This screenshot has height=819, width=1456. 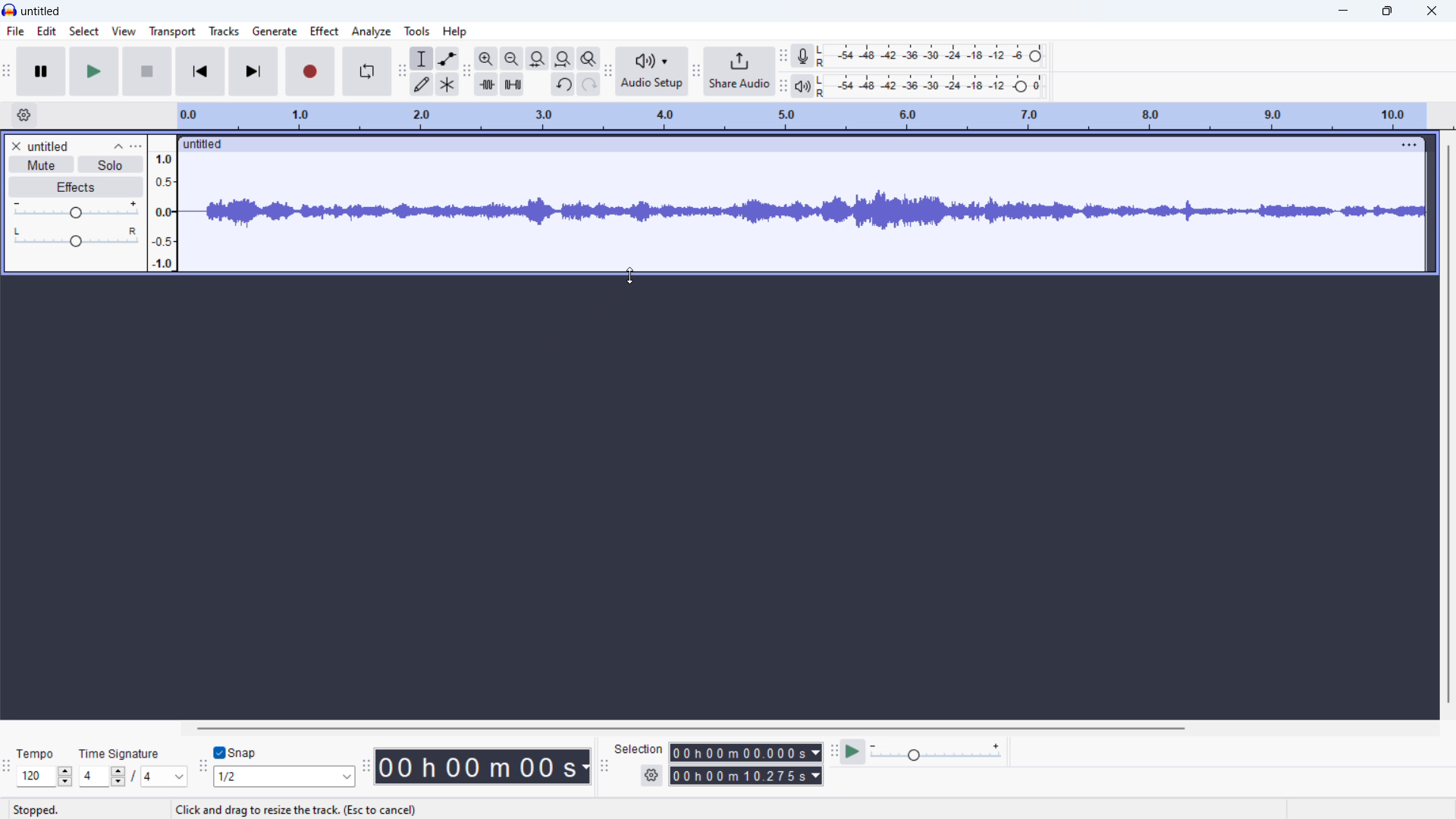 What do you see at coordinates (77, 210) in the screenshot?
I see `gain` at bounding box center [77, 210].